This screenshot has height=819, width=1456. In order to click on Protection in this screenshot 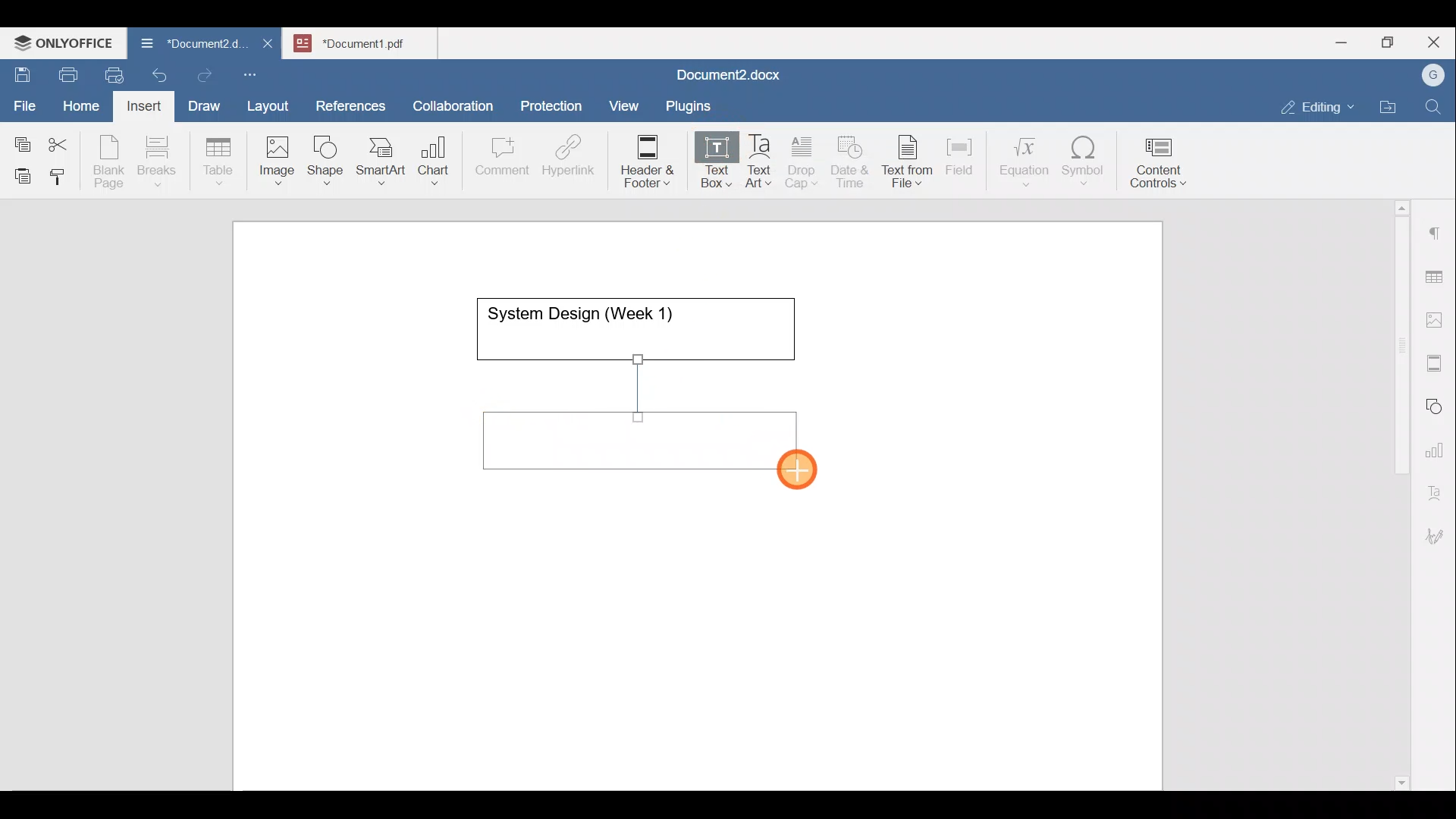, I will do `click(556, 104)`.